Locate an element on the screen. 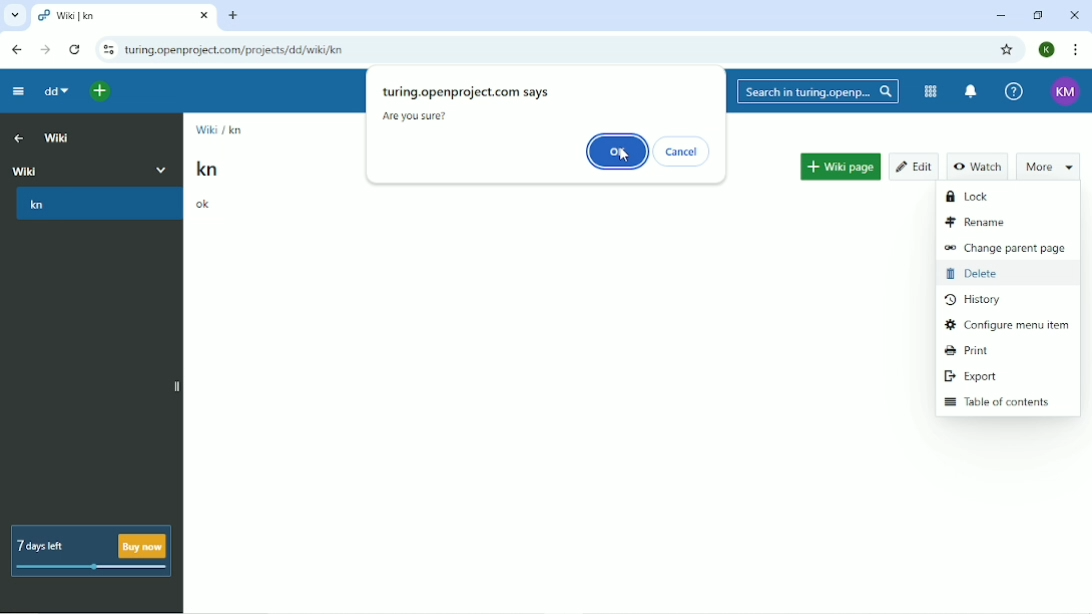 The width and height of the screenshot is (1092, 614). Delete is located at coordinates (980, 277).